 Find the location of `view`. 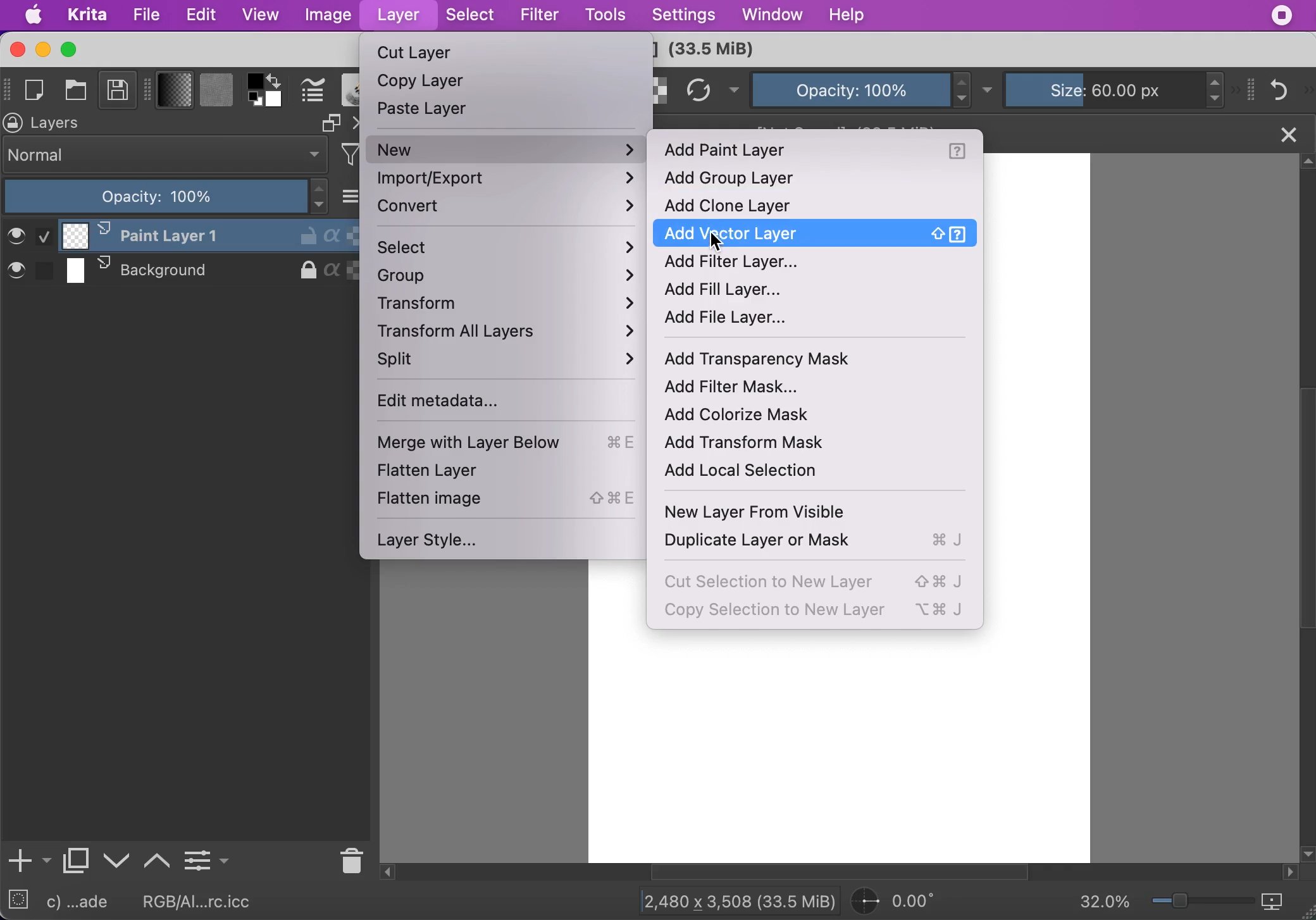

view is located at coordinates (260, 14).